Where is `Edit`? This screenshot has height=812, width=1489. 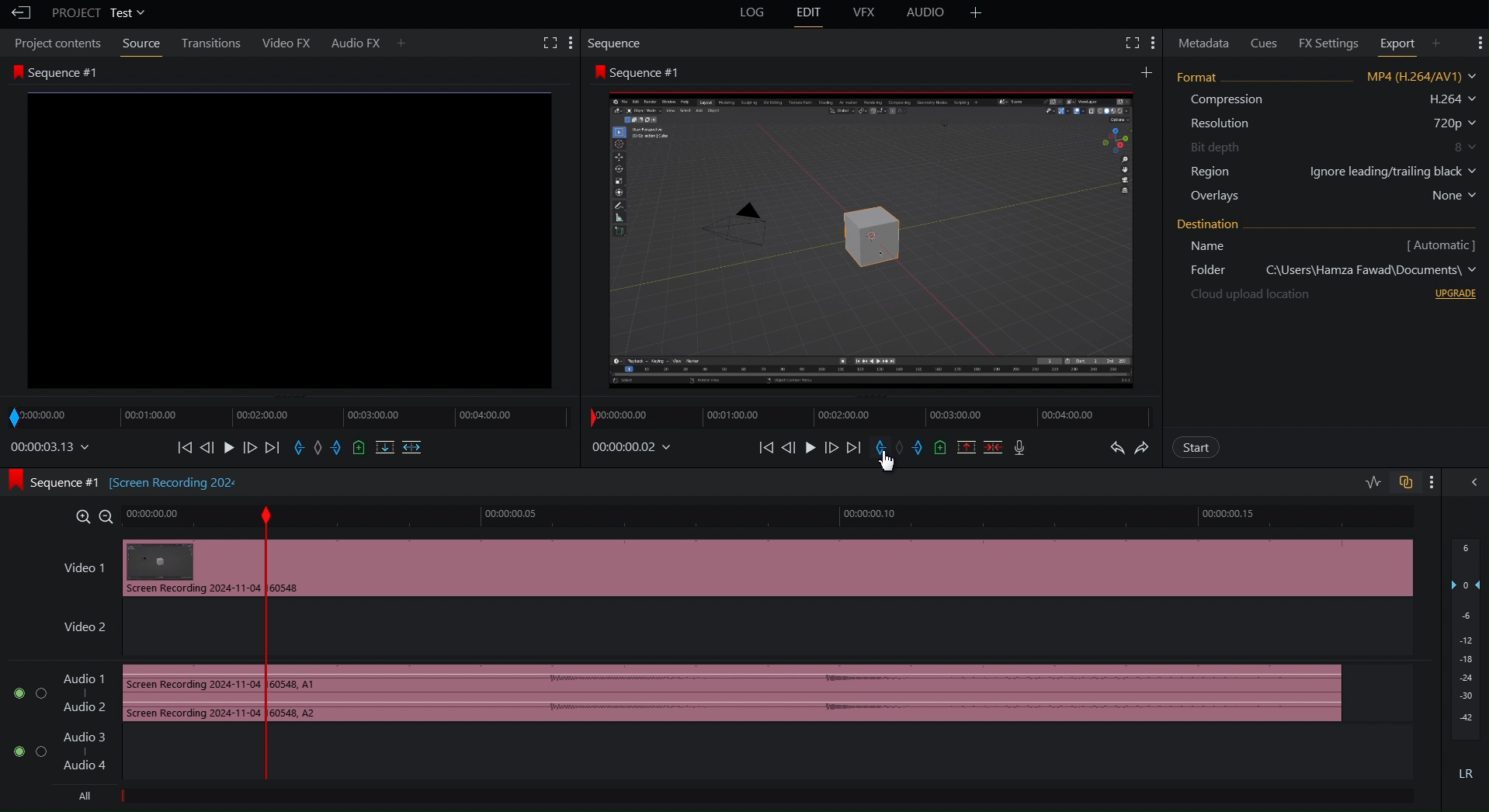
Edit is located at coordinates (810, 14).